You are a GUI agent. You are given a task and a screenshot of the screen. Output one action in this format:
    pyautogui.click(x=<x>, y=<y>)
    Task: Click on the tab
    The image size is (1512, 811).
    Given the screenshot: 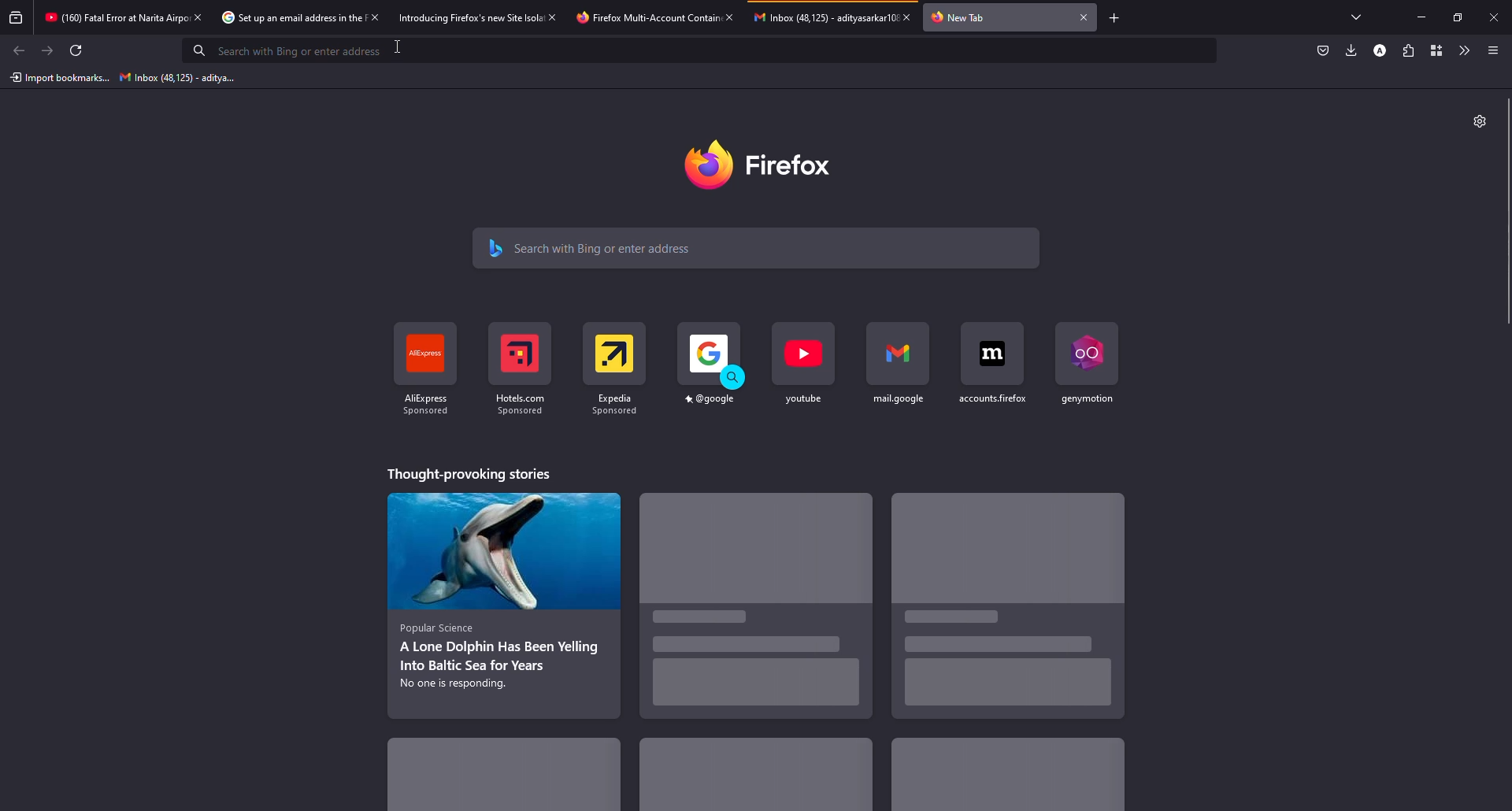 What is the action you would take?
    pyautogui.click(x=817, y=23)
    